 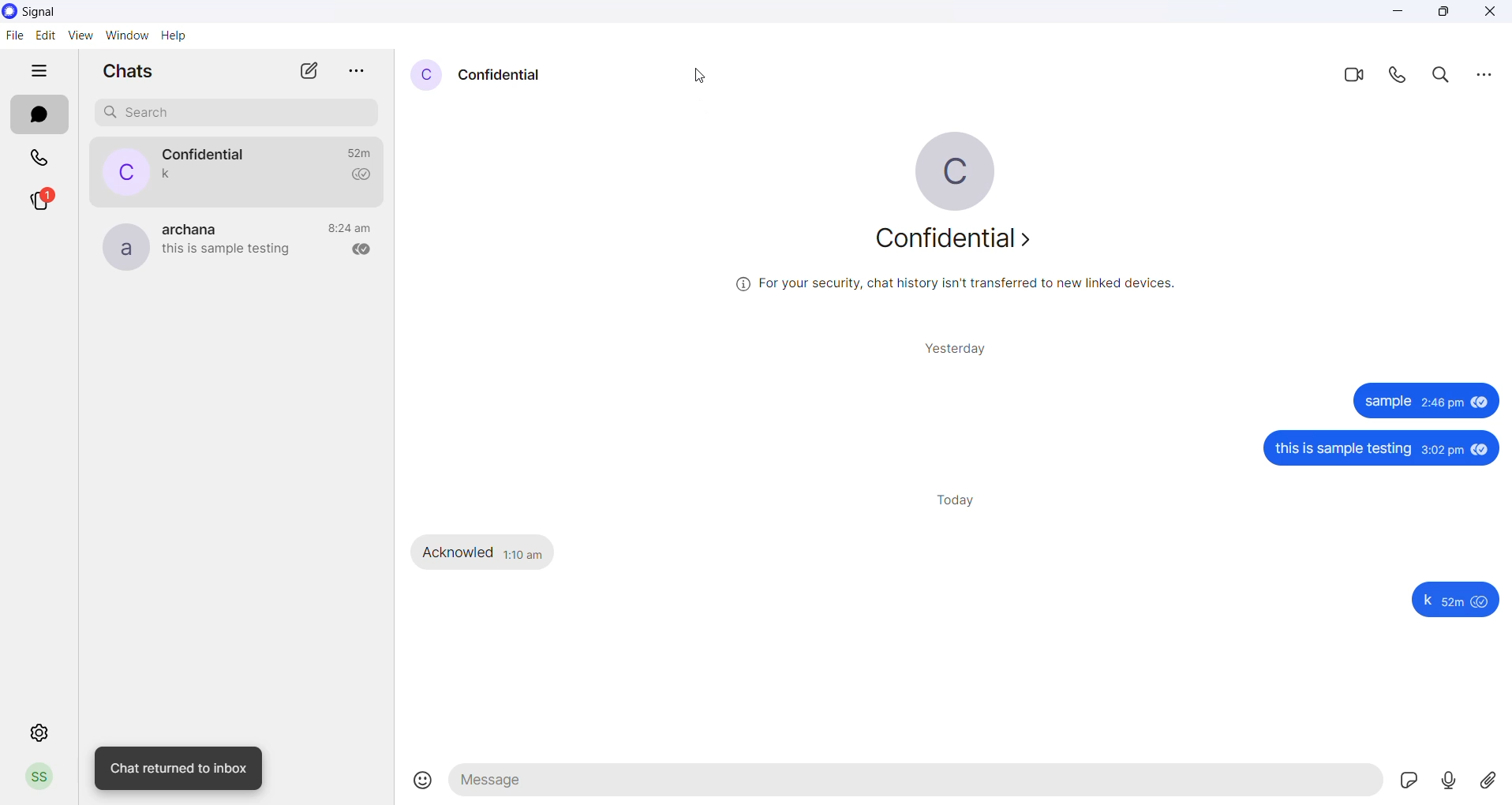 What do you see at coordinates (43, 775) in the screenshot?
I see `profile` at bounding box center [43, 775].